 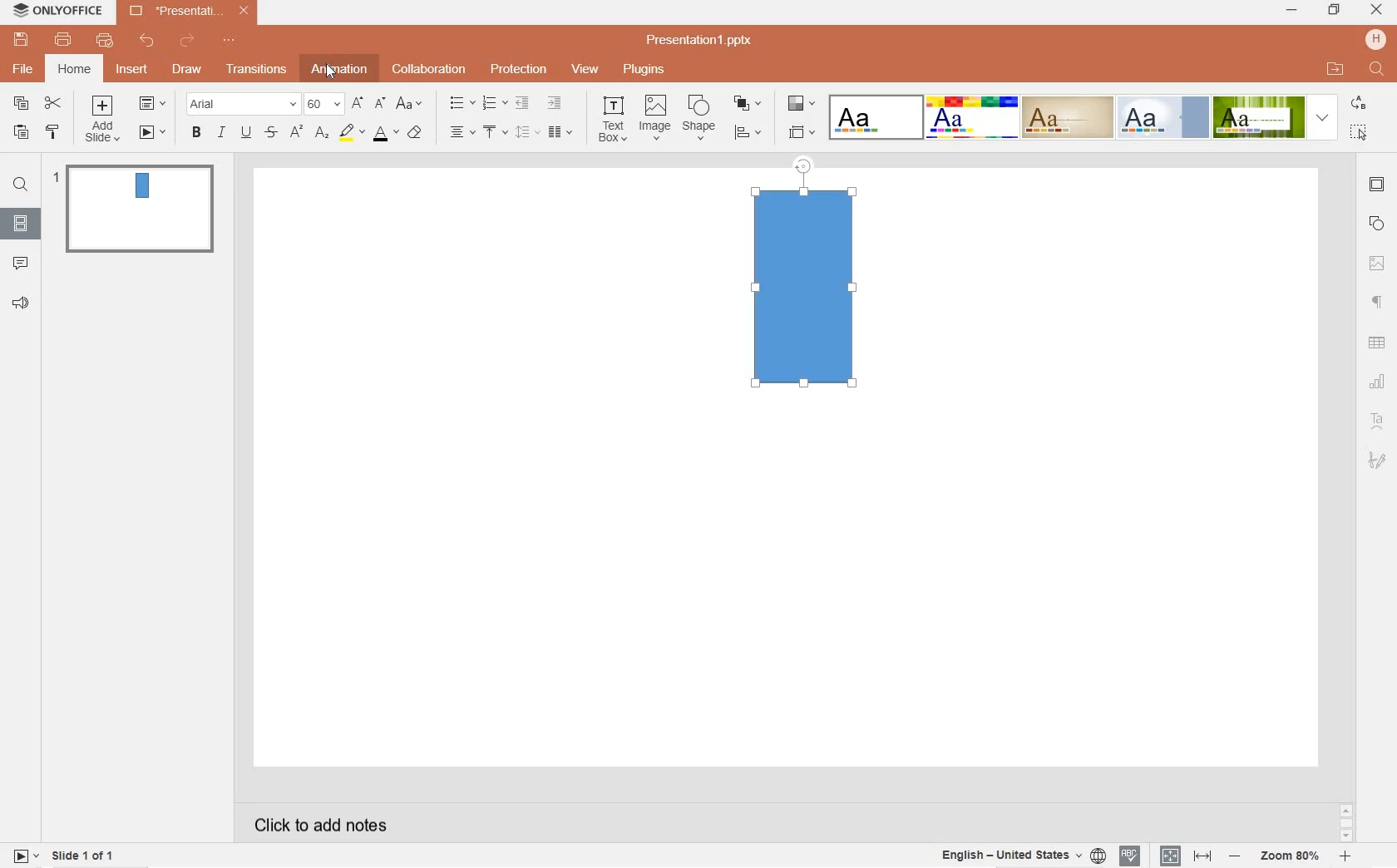 I want to click on view, so click(x=585, y=70).